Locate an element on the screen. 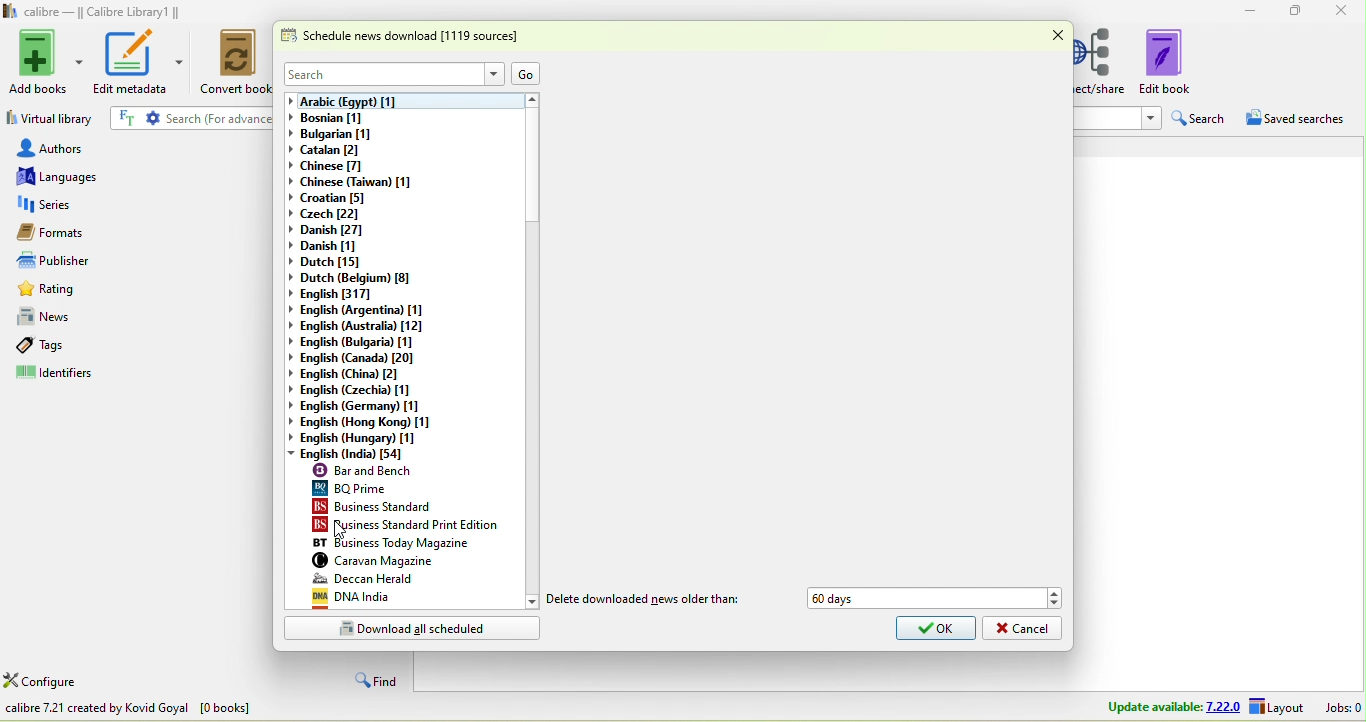 This screenshot has height=722, width=1366. edit book is located at coordinates (1178, 63).